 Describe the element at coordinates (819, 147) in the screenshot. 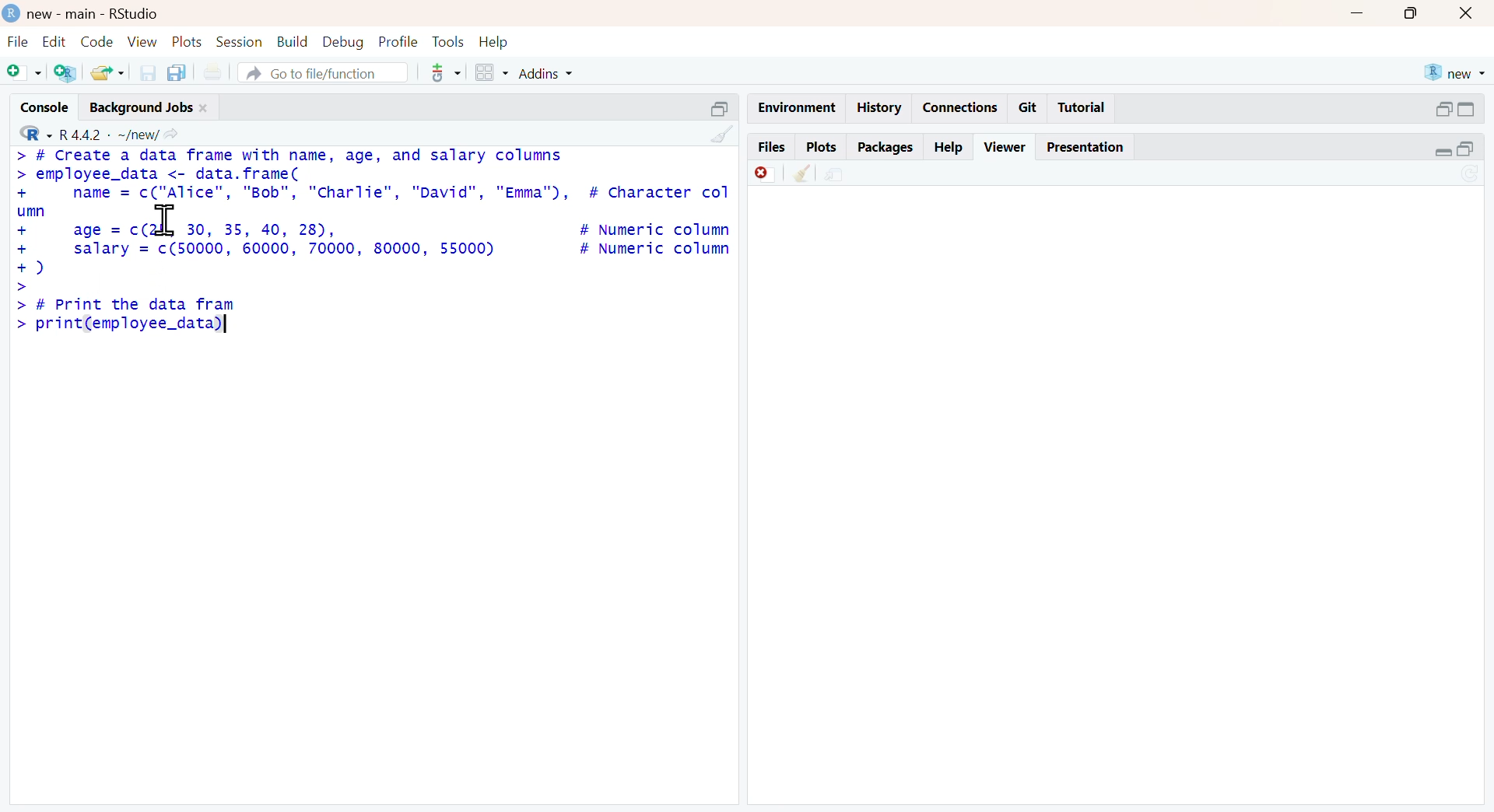

I see `Plots` at that location.